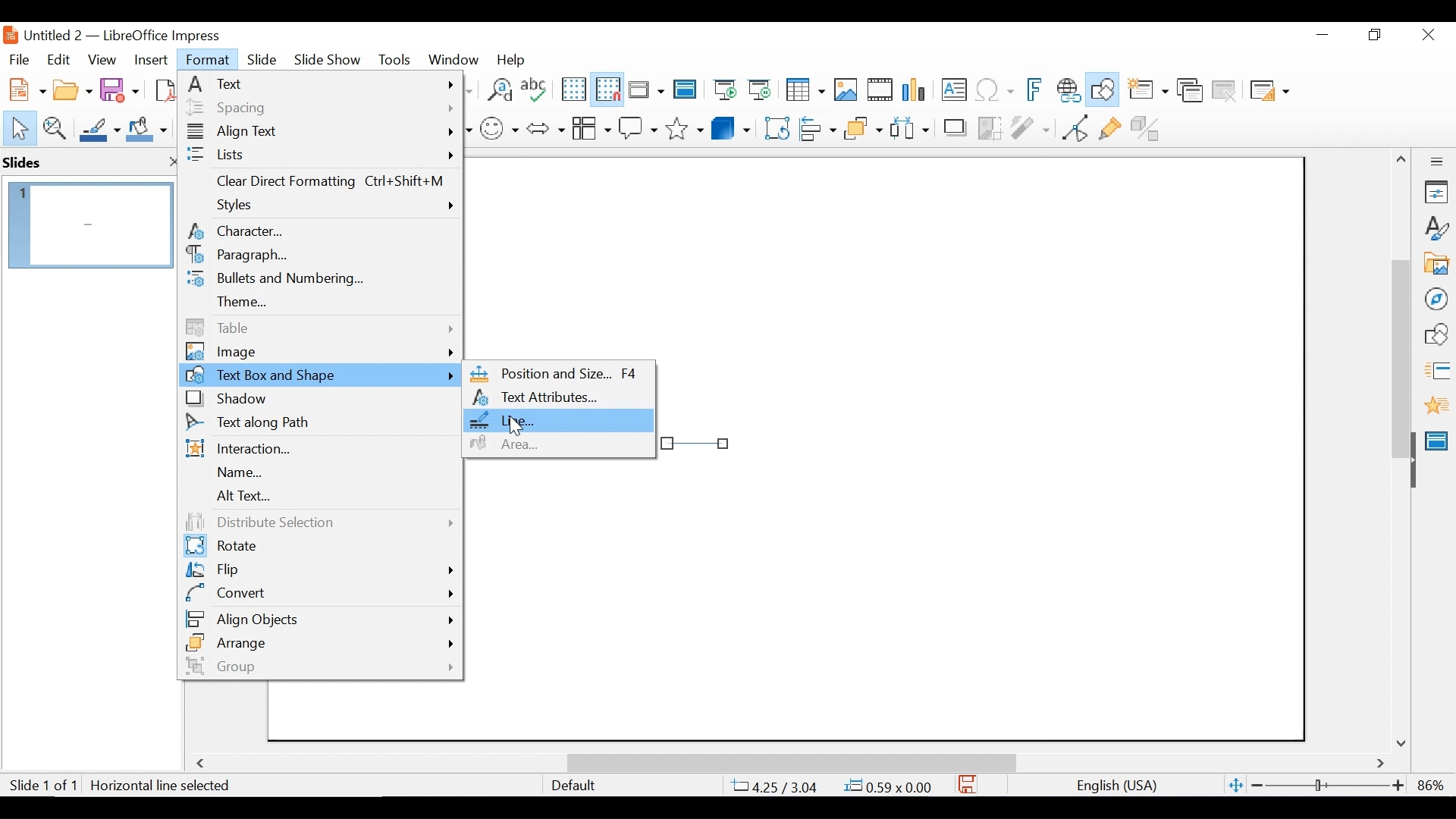 This screenshot has width=1456, height=819. What do you see at coordinates (1236, 786) in the screenshot?
I see `Fit Slide to current window` at bounding box center [1236, 786].